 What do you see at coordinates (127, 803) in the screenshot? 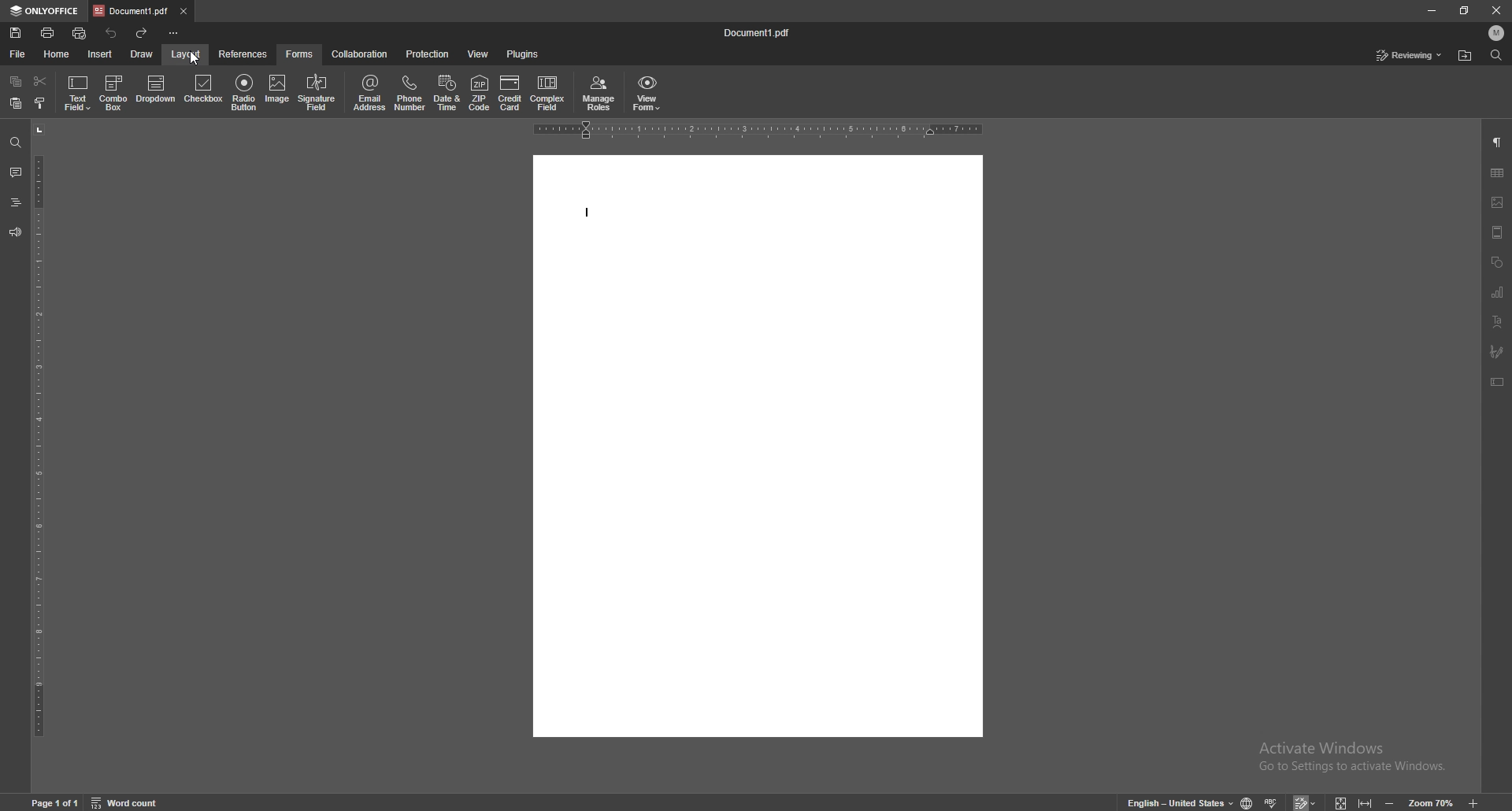
I see `word count` at bounding box center [127, 803].